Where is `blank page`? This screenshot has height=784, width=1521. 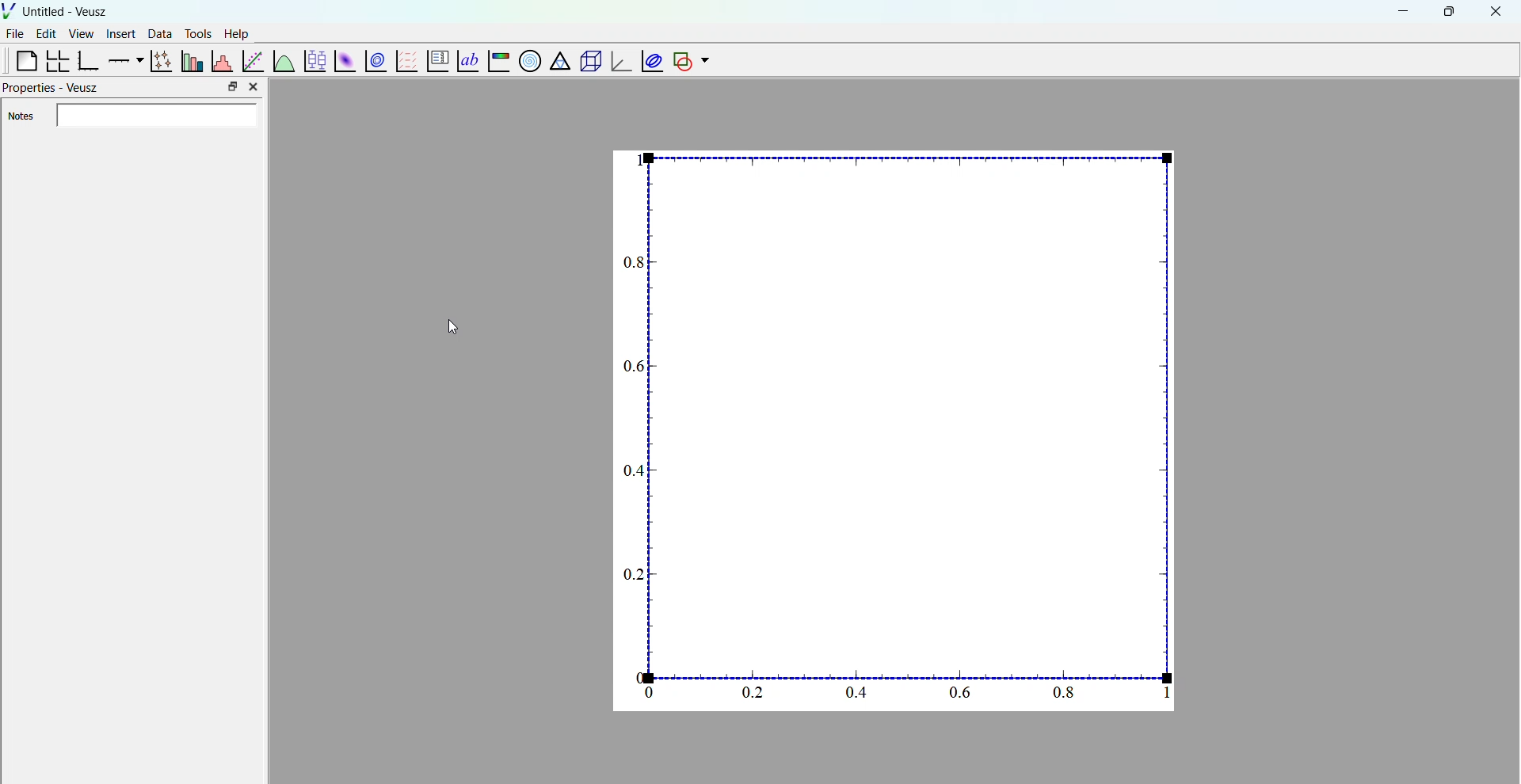
blank page is located at coordinates (20, 60).